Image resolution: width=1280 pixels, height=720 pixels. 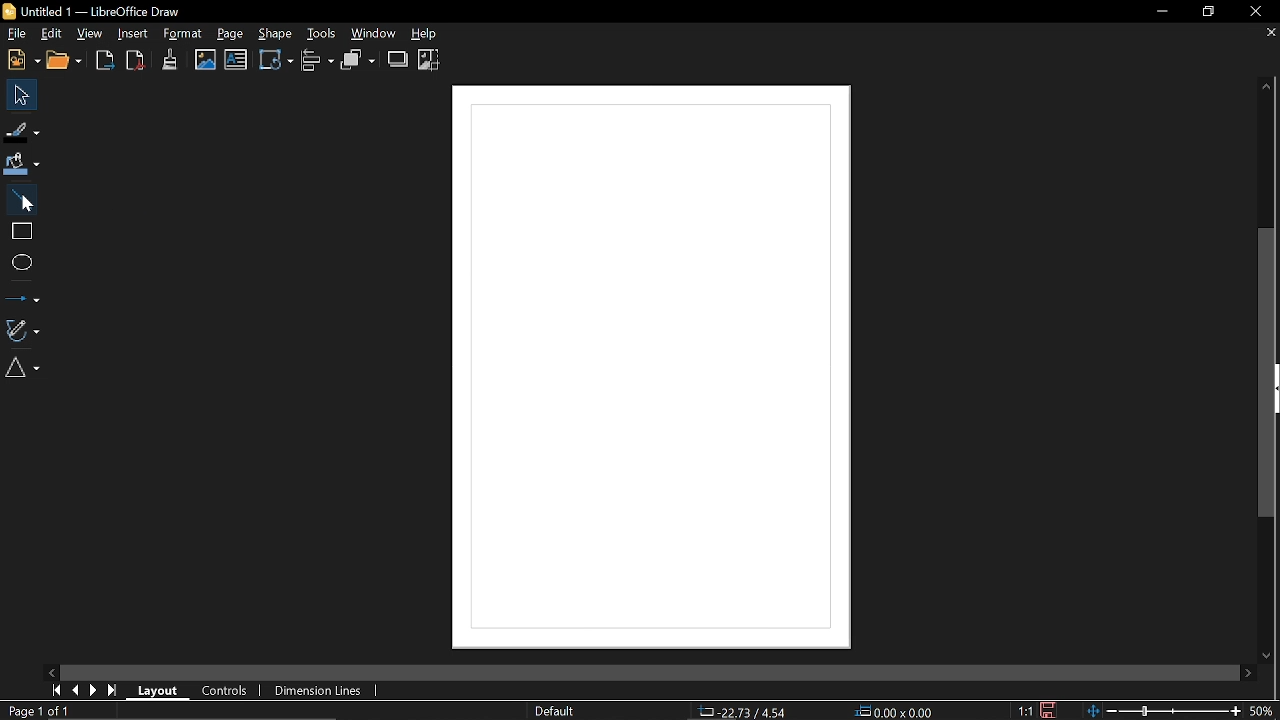 What do you see at coordinates (20, 131) in the screenshot?
I see `Fll line` at bounding box center [20, 131].